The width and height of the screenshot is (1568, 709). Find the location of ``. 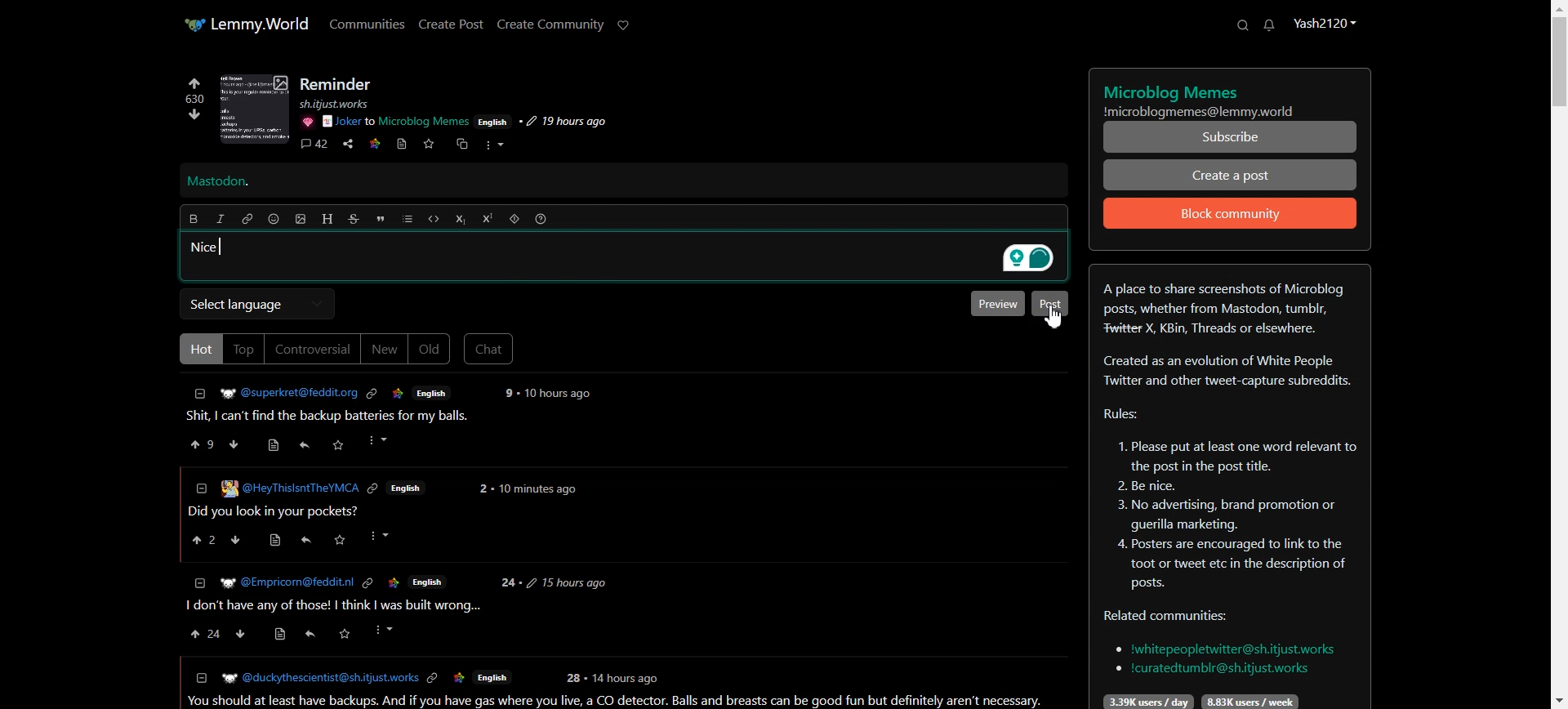

 is located at coordinates (285, 582).